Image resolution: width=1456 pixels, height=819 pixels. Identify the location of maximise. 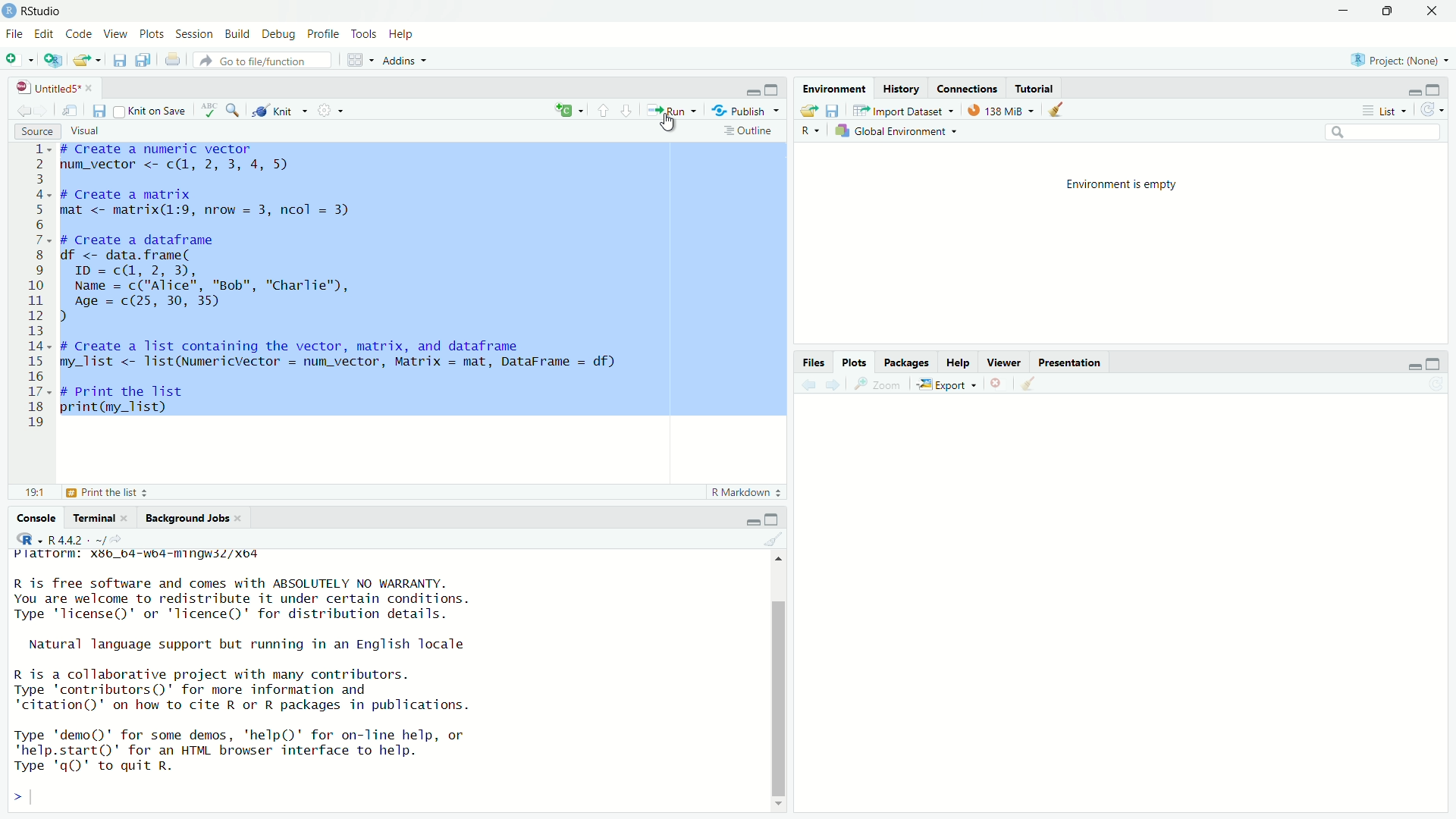
(1439, 361).